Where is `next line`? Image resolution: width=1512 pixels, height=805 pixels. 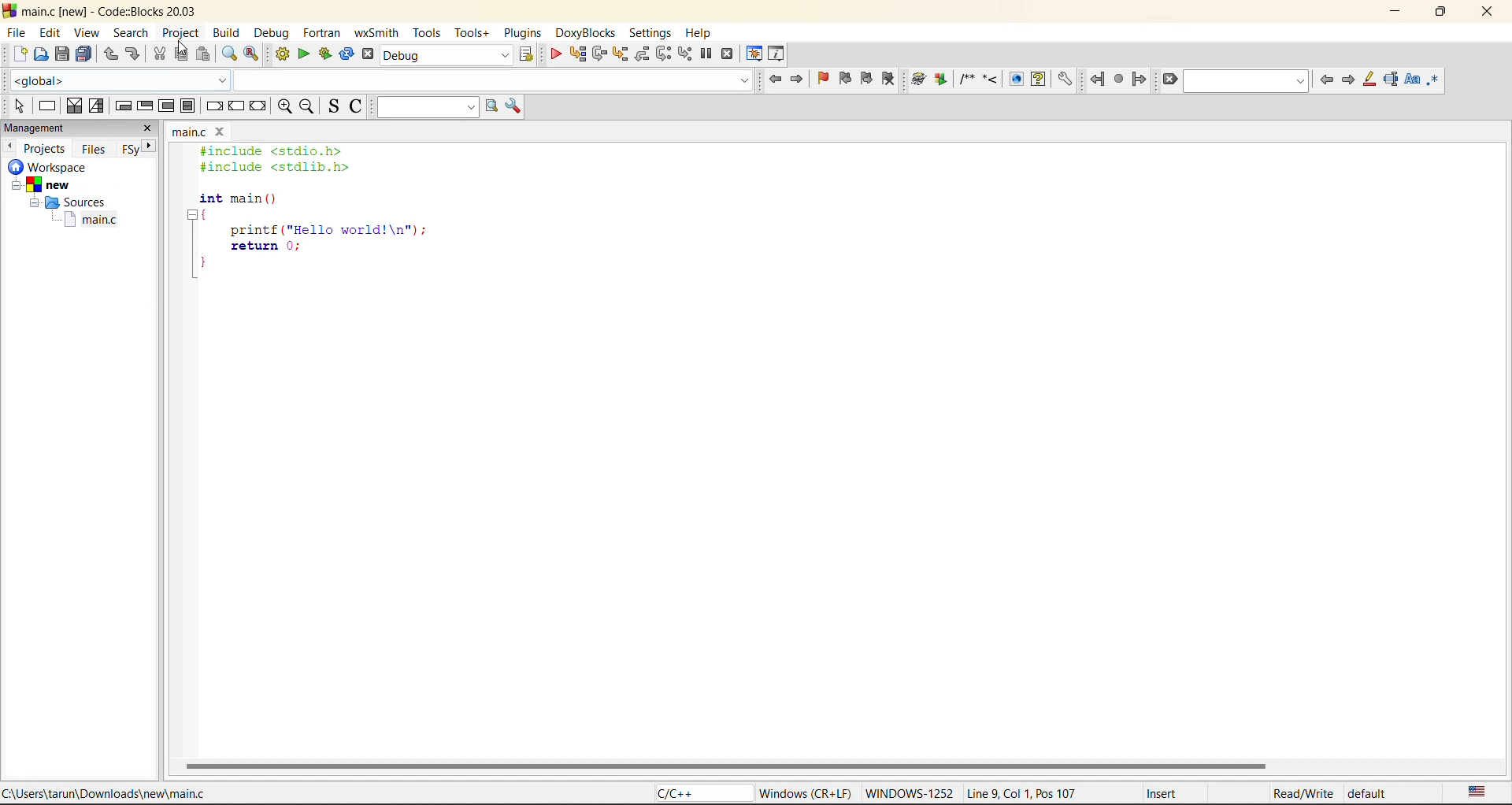
next line is located at coordinates (601, 56).